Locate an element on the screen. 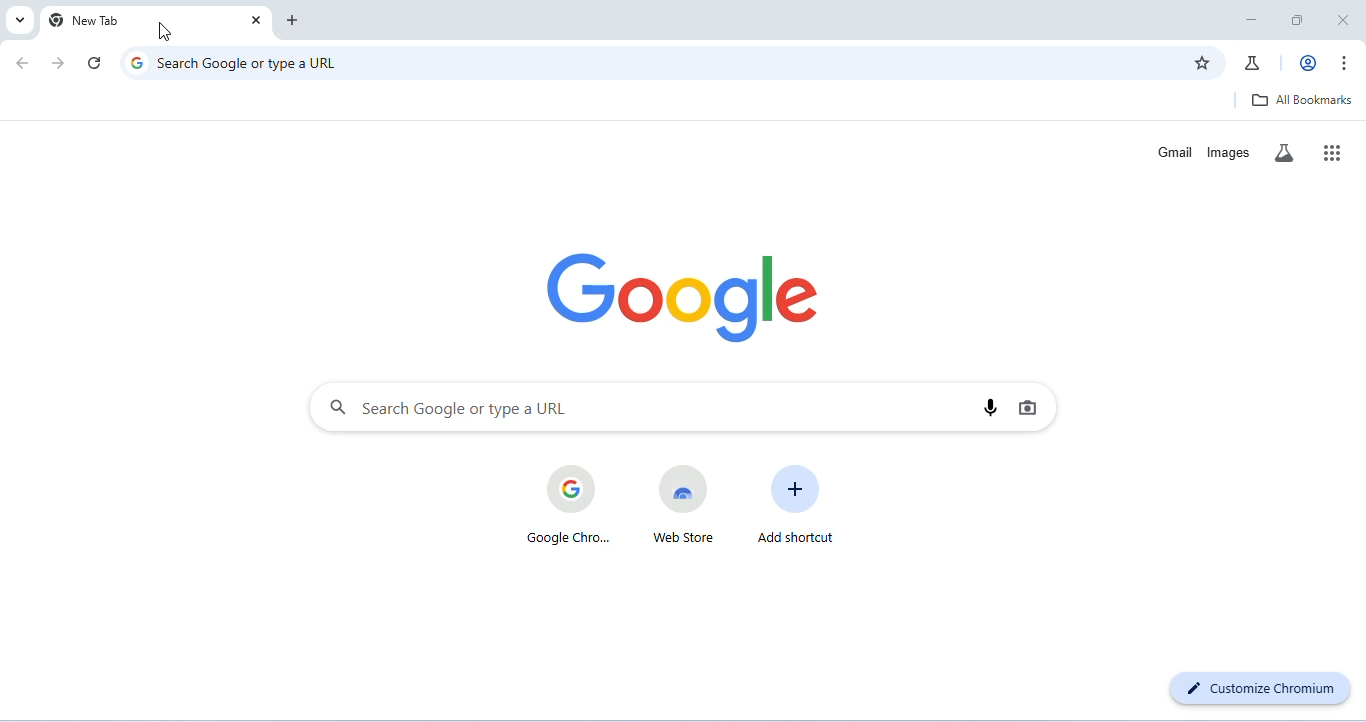 This screenshot has height=722, width=1366. gmail is located at coordinates (1177, 151).